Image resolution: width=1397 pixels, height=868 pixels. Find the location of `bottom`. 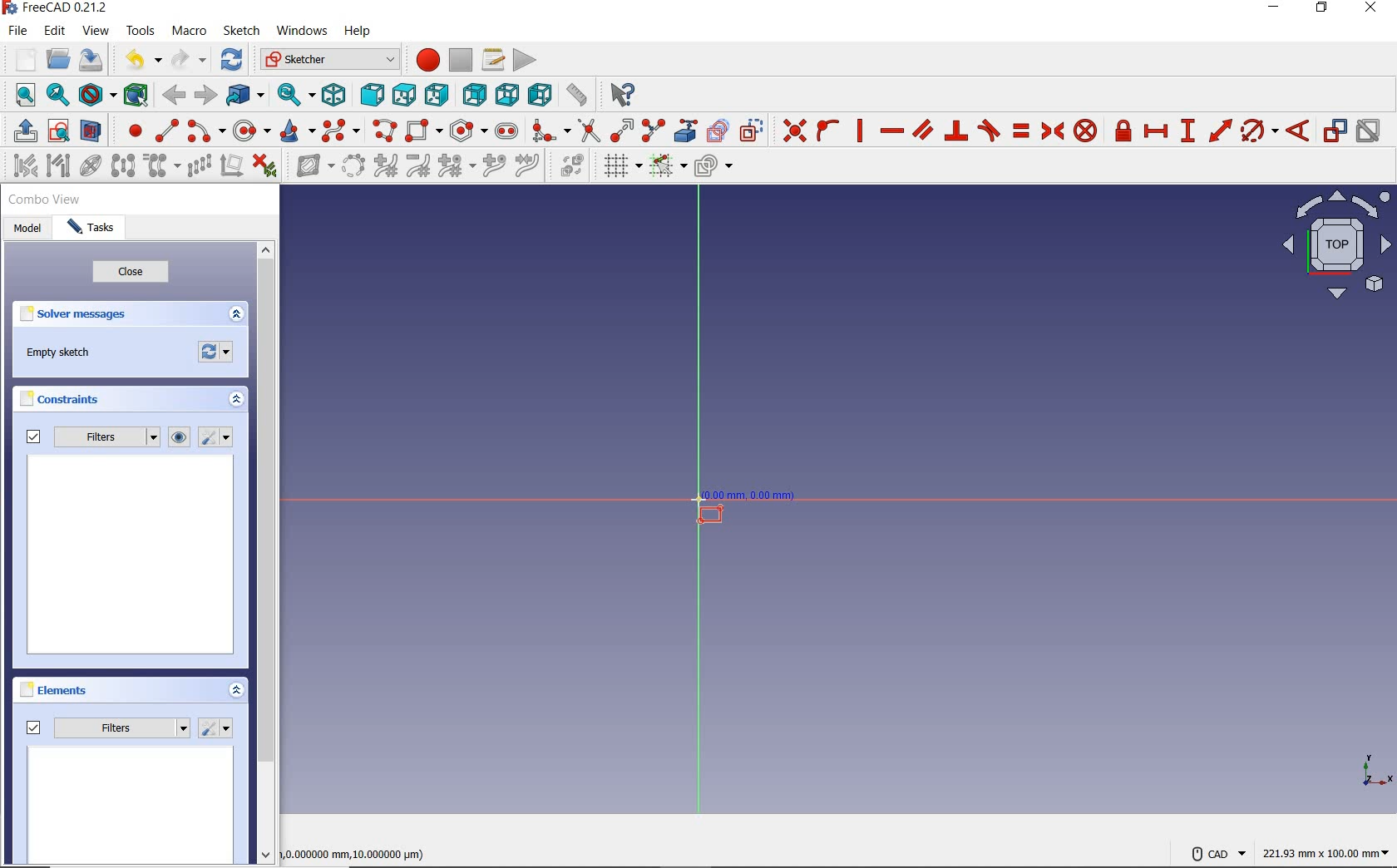

bottom is located at coordinates (508, 94).